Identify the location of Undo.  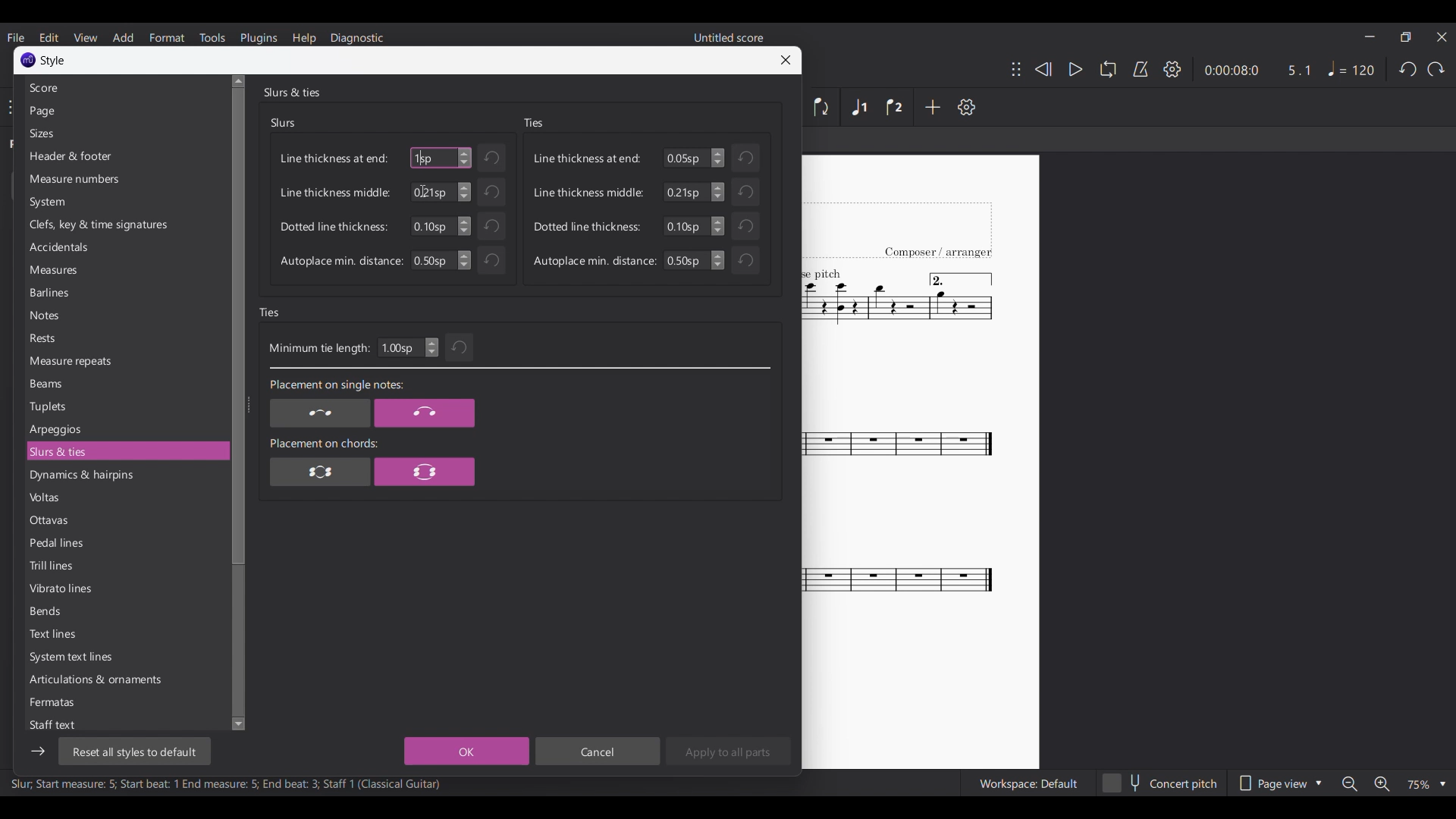
(745, 260).